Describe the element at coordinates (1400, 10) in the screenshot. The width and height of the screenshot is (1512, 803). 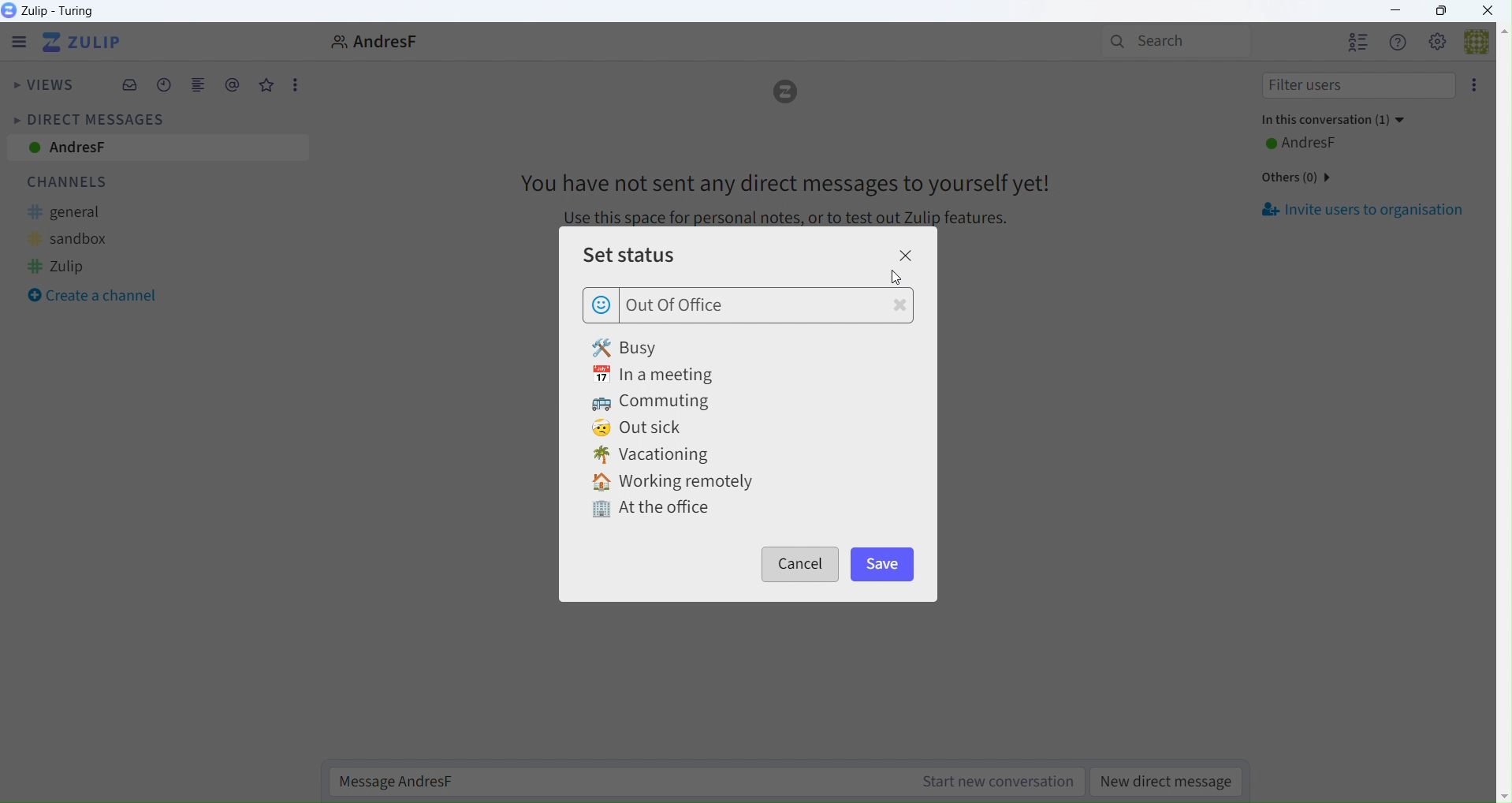
I see `minimize` at that location.